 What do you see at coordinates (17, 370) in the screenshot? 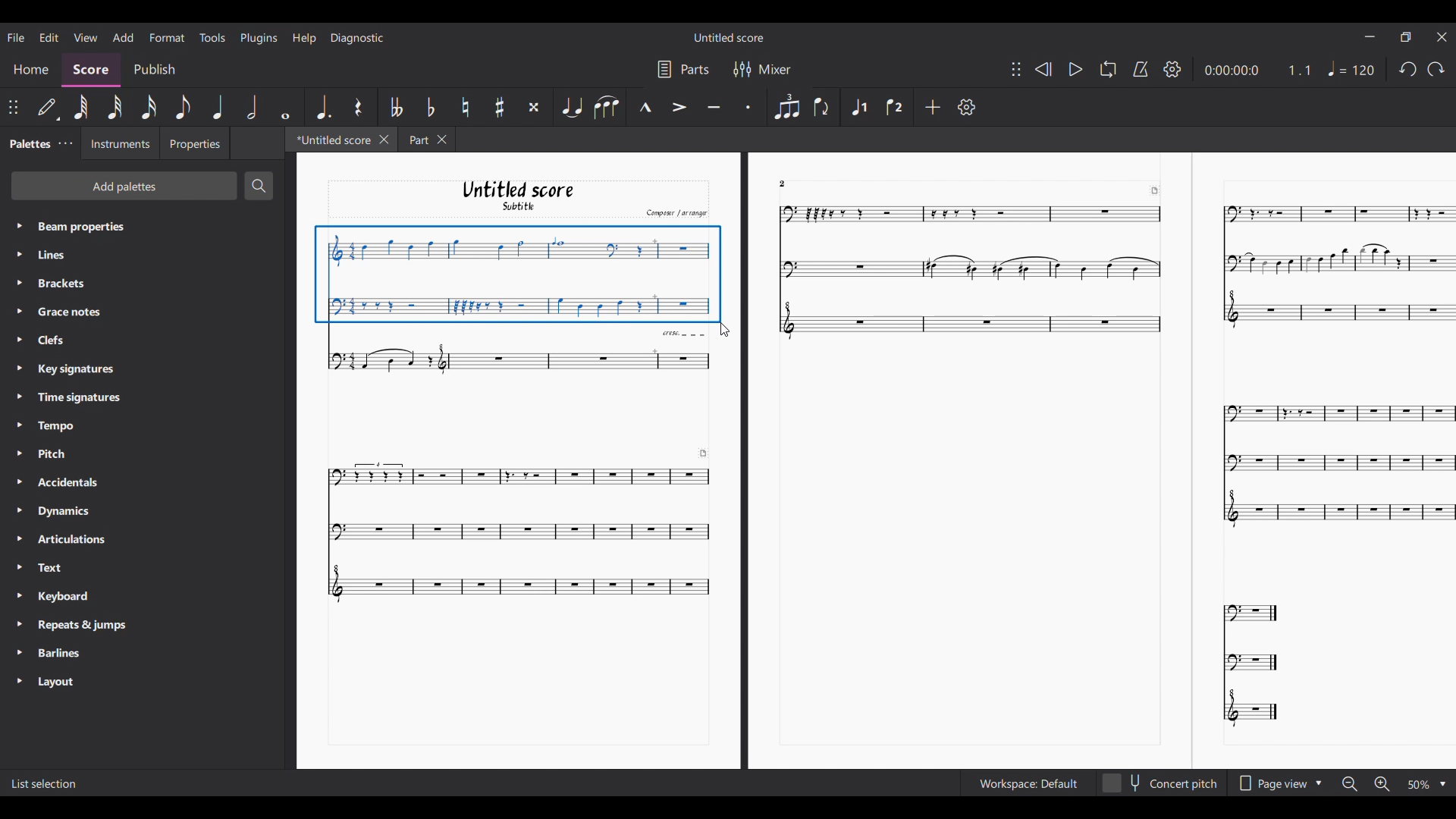
I see `` at bounding box center [17, 370].